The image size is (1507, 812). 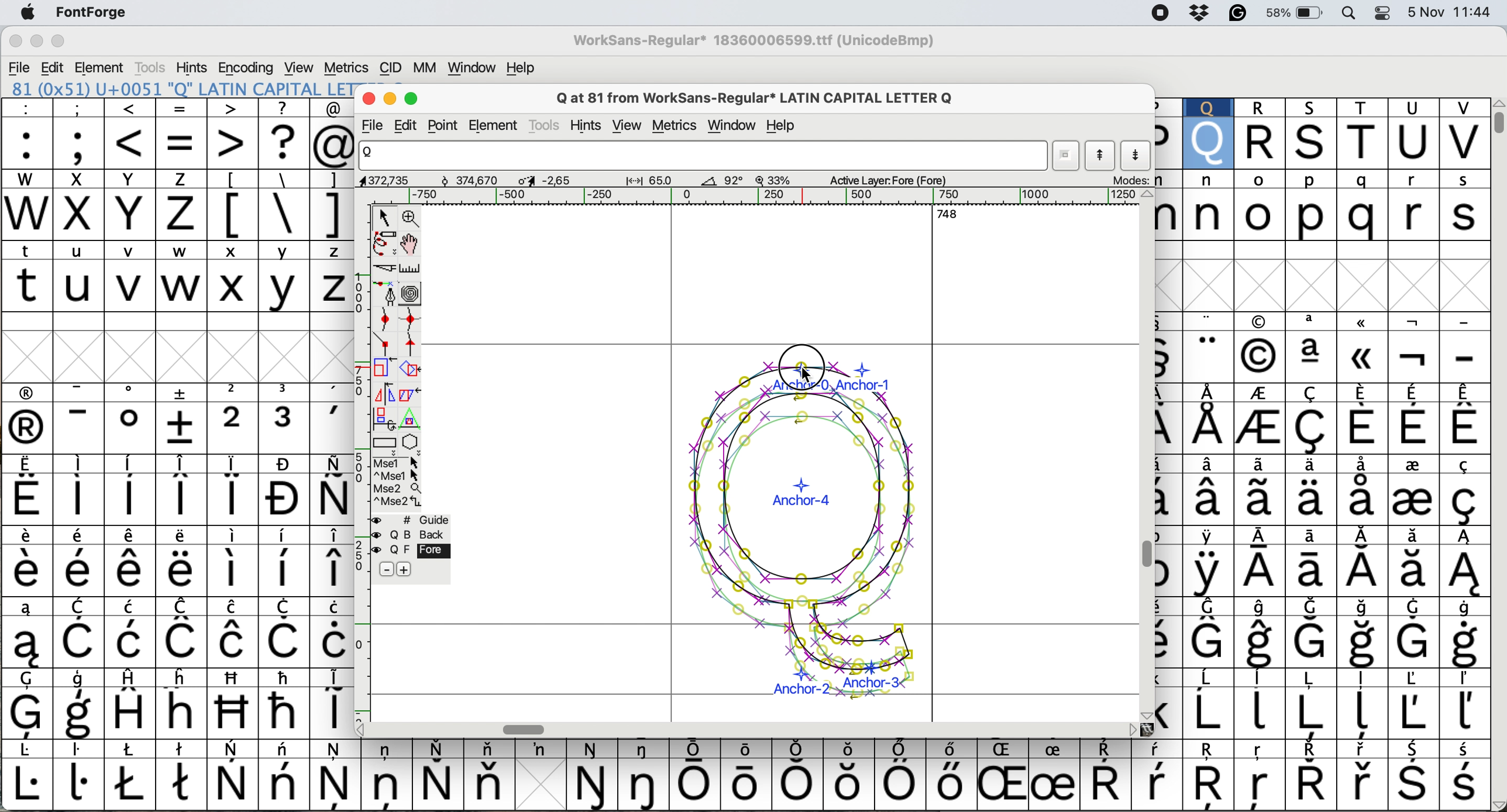 What do you see at coordinates (1352, 14) in the screenshot?
I see `spotlight search` at bounding box center [1352, 14].